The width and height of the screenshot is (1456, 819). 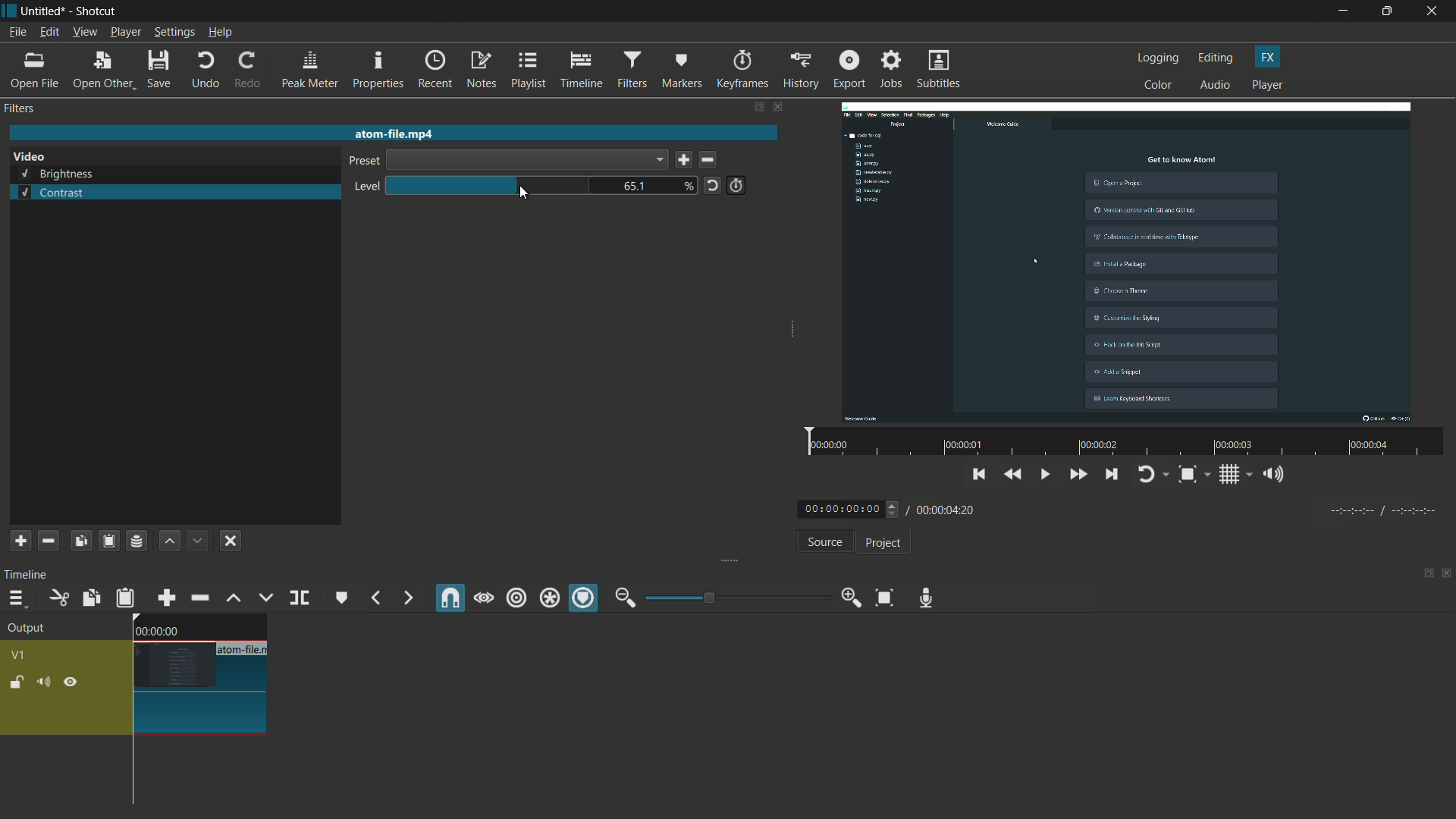 What do you see at coordinates (199, 598) in the screenshot?
I see `ripple delete` at bounding box center [199, 598].